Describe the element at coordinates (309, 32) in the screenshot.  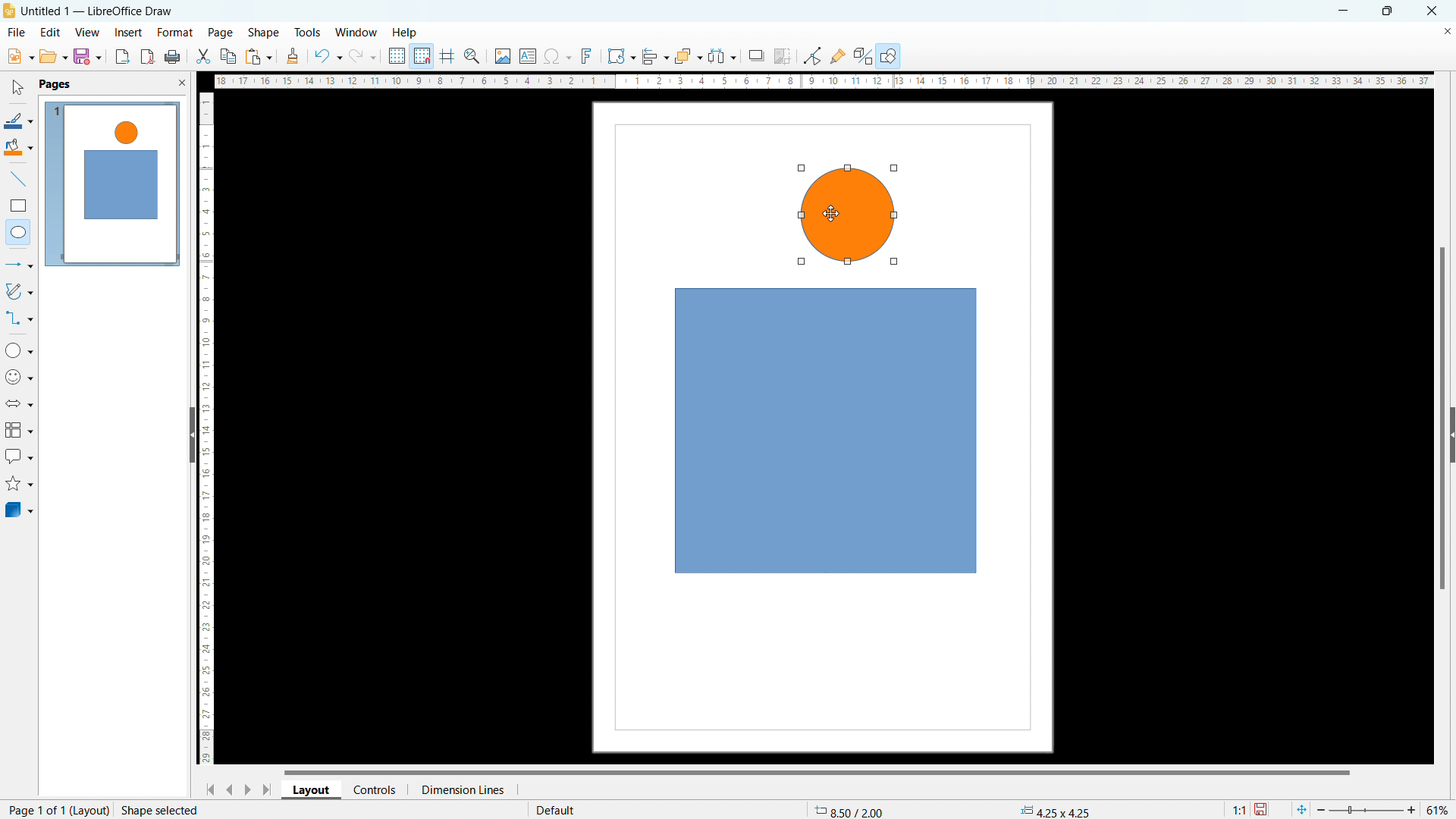
I see `tools` at that location.